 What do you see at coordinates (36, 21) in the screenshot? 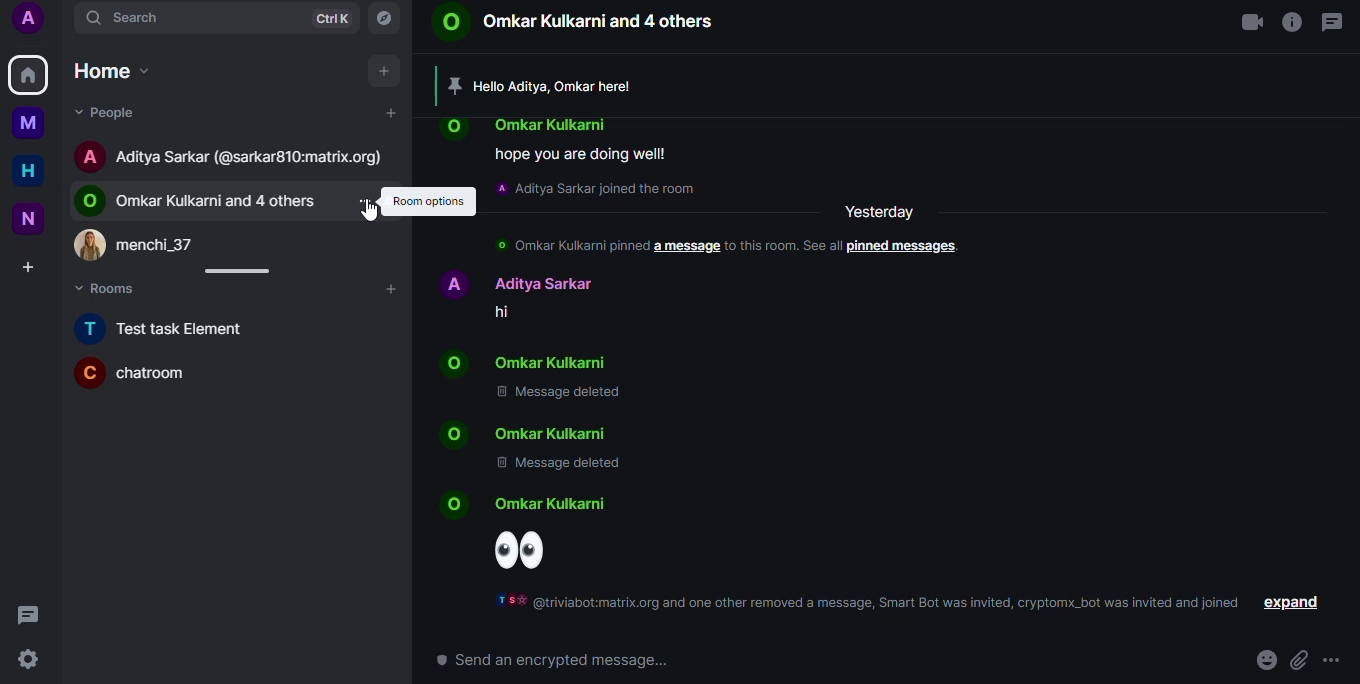
I see `A` at bounding box center [36, 21].